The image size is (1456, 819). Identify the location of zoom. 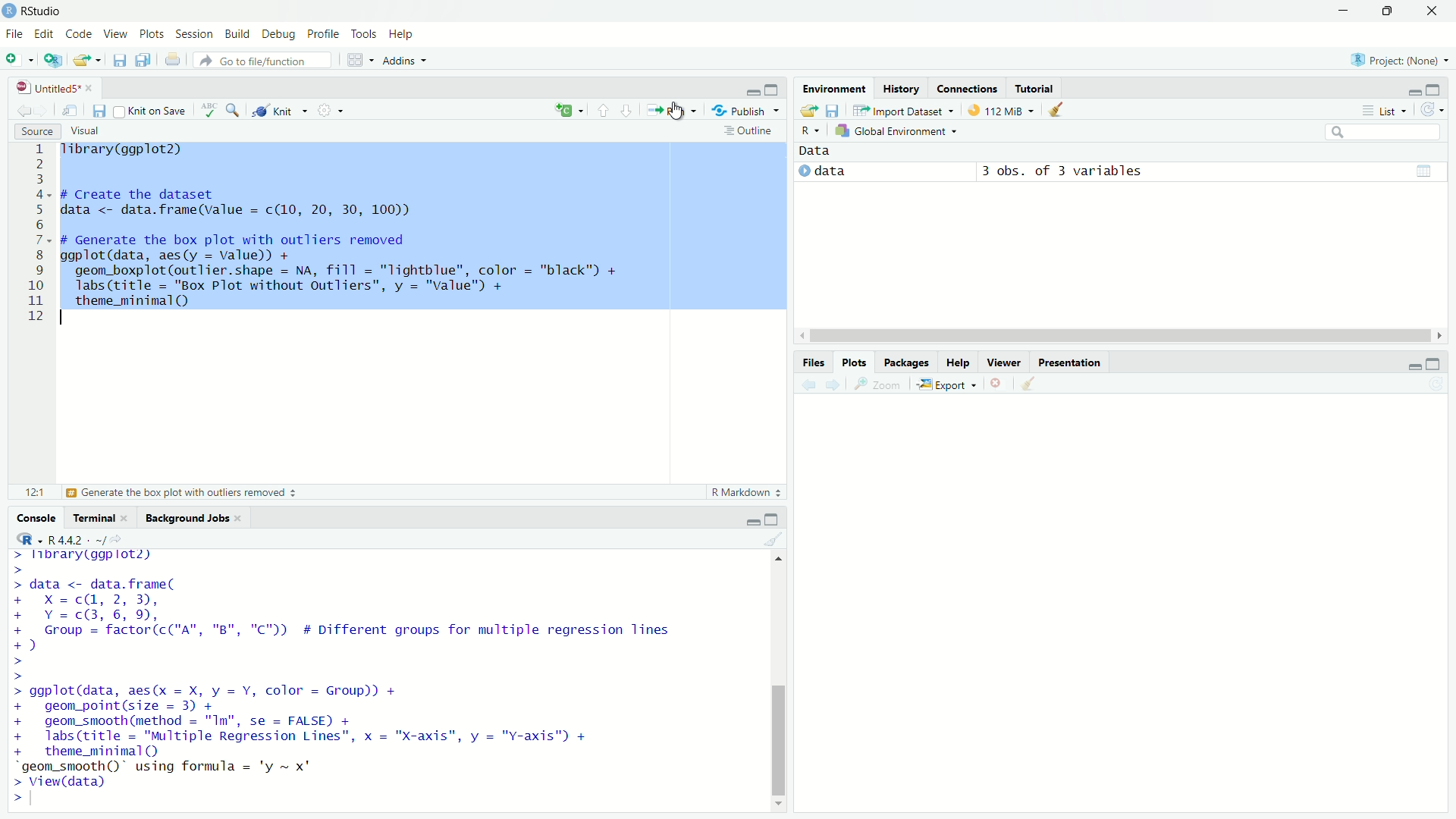
(234, 108).